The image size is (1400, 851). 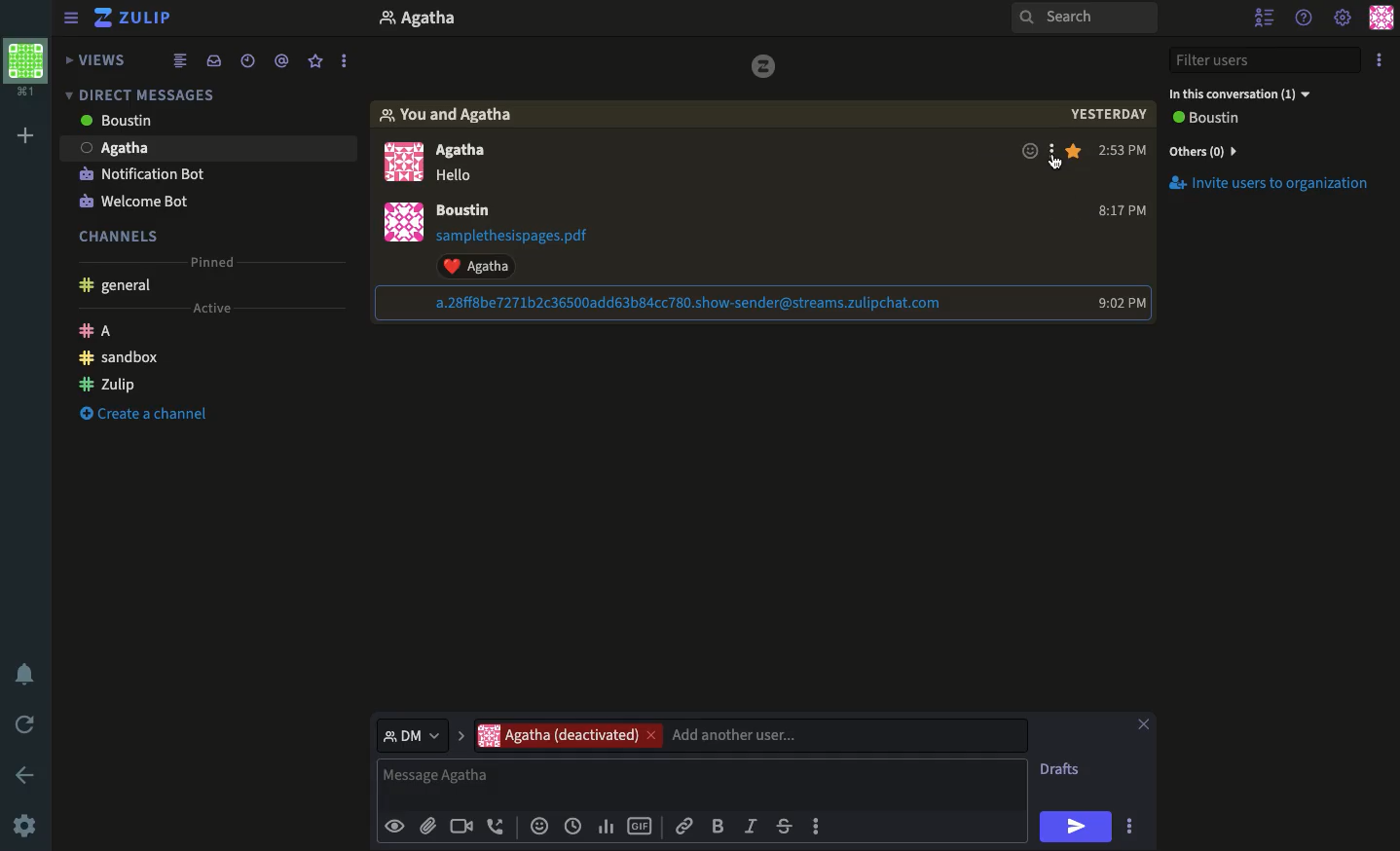 What do you see at coordinates (640, 828) in the screenshot?
I see `GIF` at bounding box center [640, 828].